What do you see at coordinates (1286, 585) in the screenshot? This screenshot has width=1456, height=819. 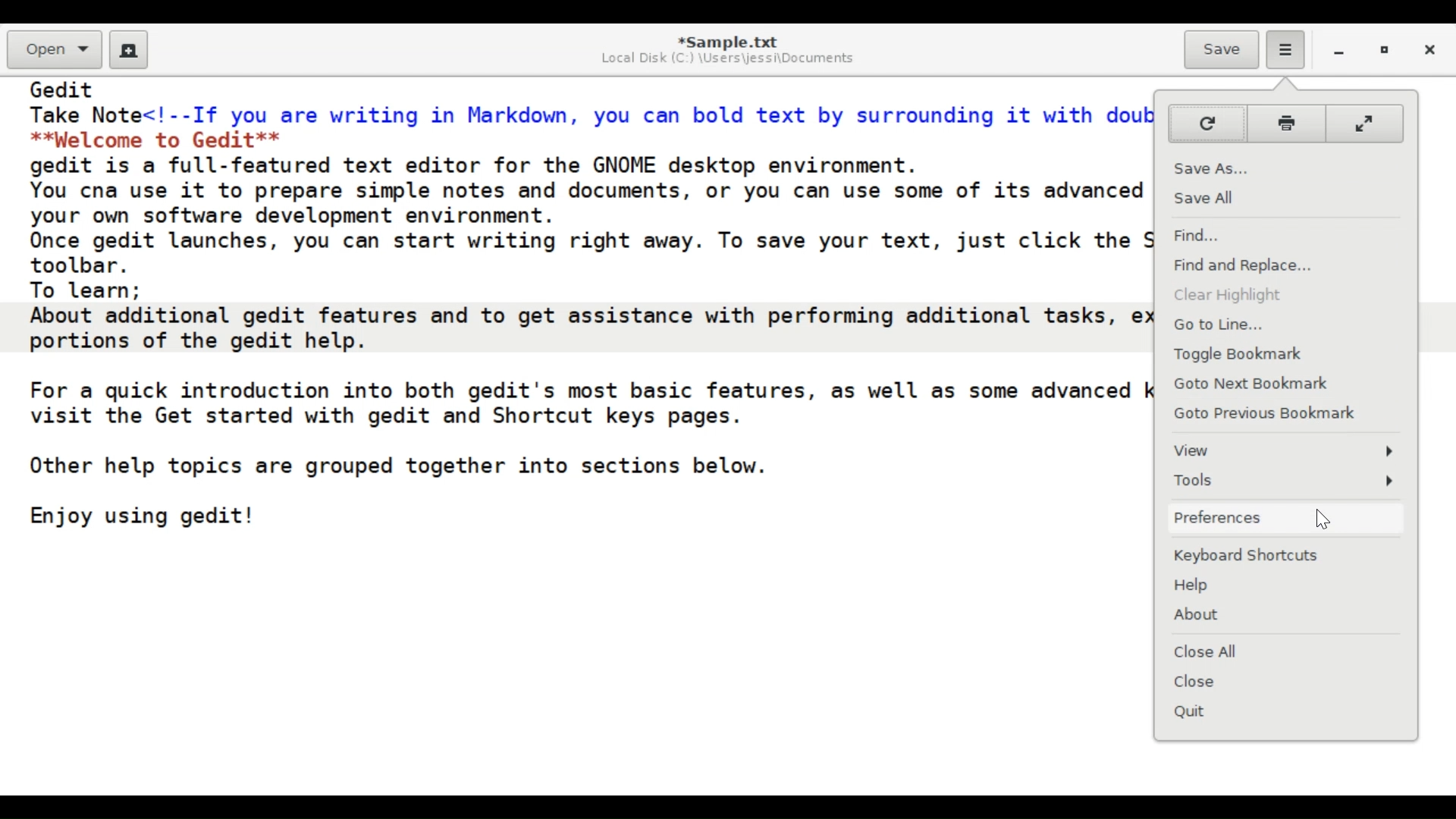 I see `Help` at bounding box center [1286, 585].